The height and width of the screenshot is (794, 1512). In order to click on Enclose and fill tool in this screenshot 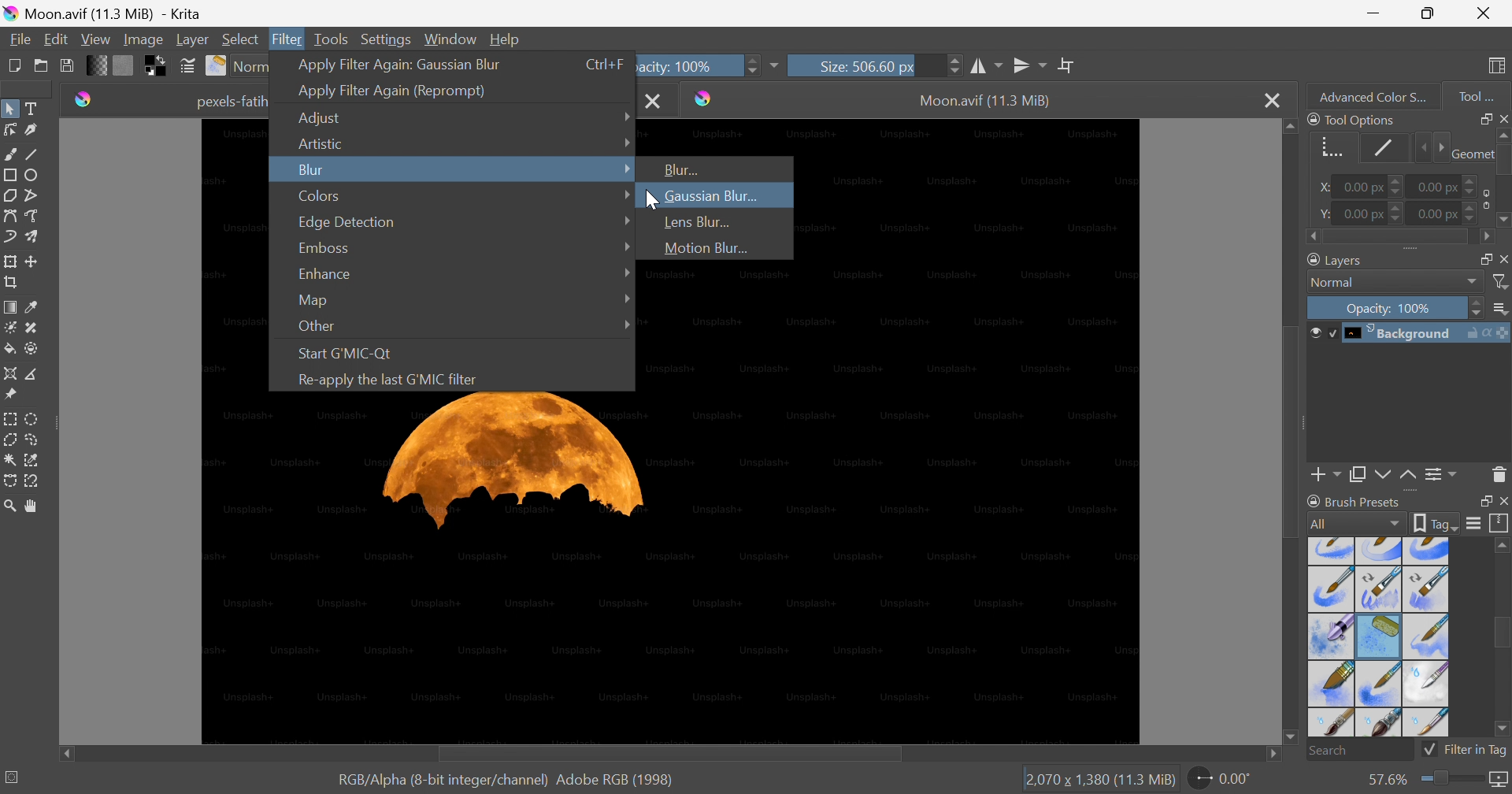, I will do `click(31, 350)`.